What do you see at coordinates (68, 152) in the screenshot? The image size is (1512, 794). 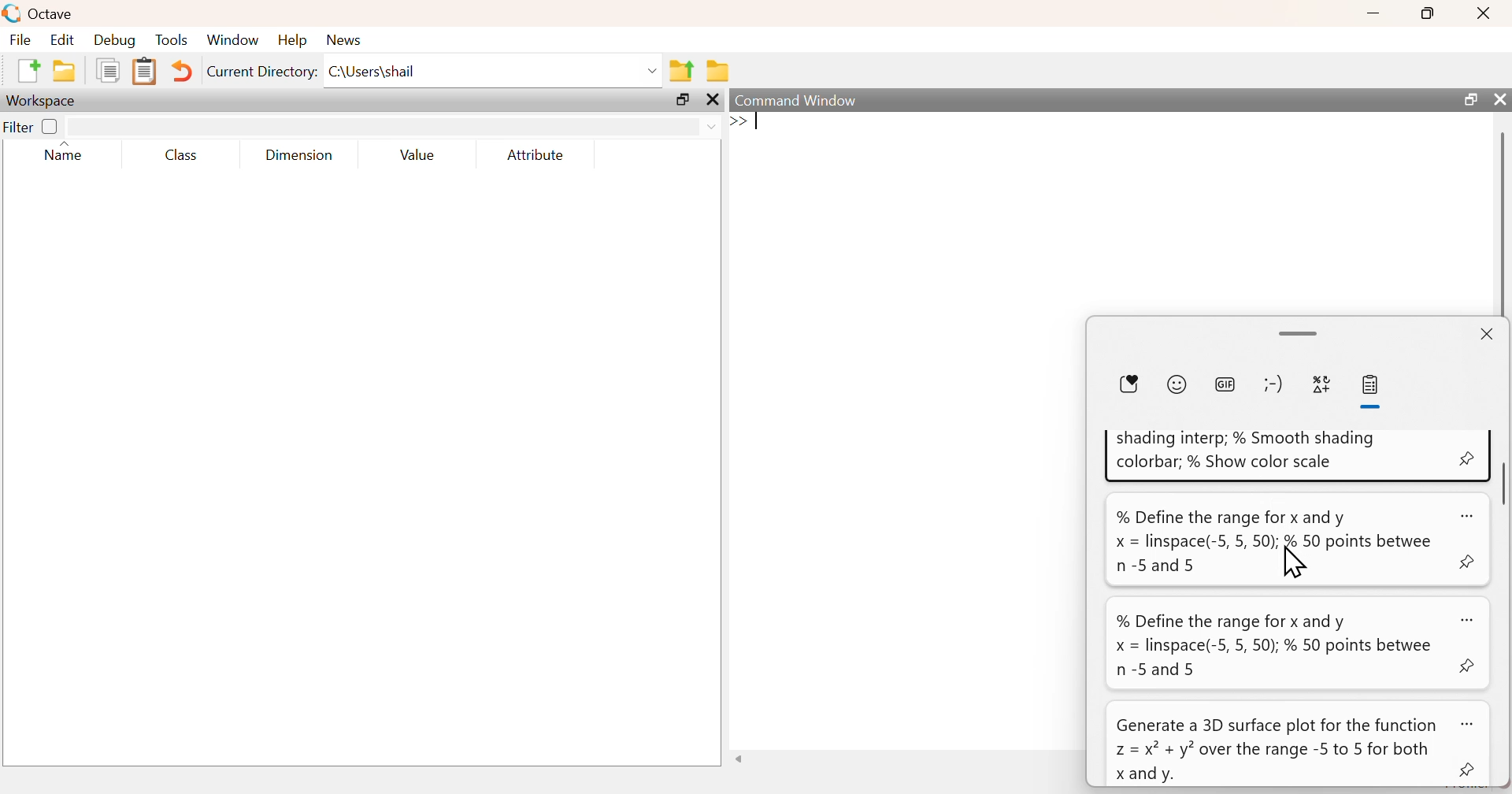 I see `Name` at bounding box center [68, 152].